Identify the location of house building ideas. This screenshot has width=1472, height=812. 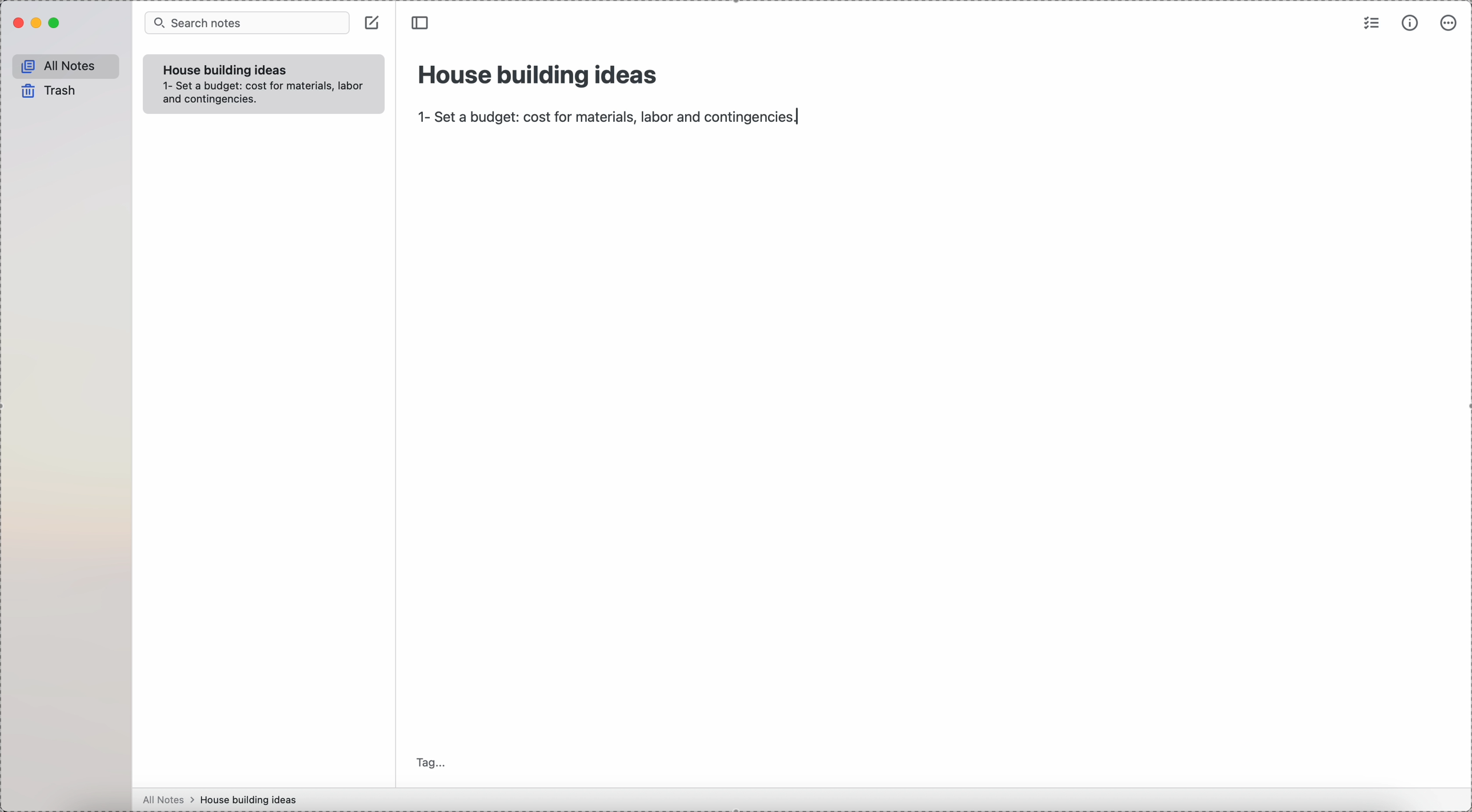
(226, 71).